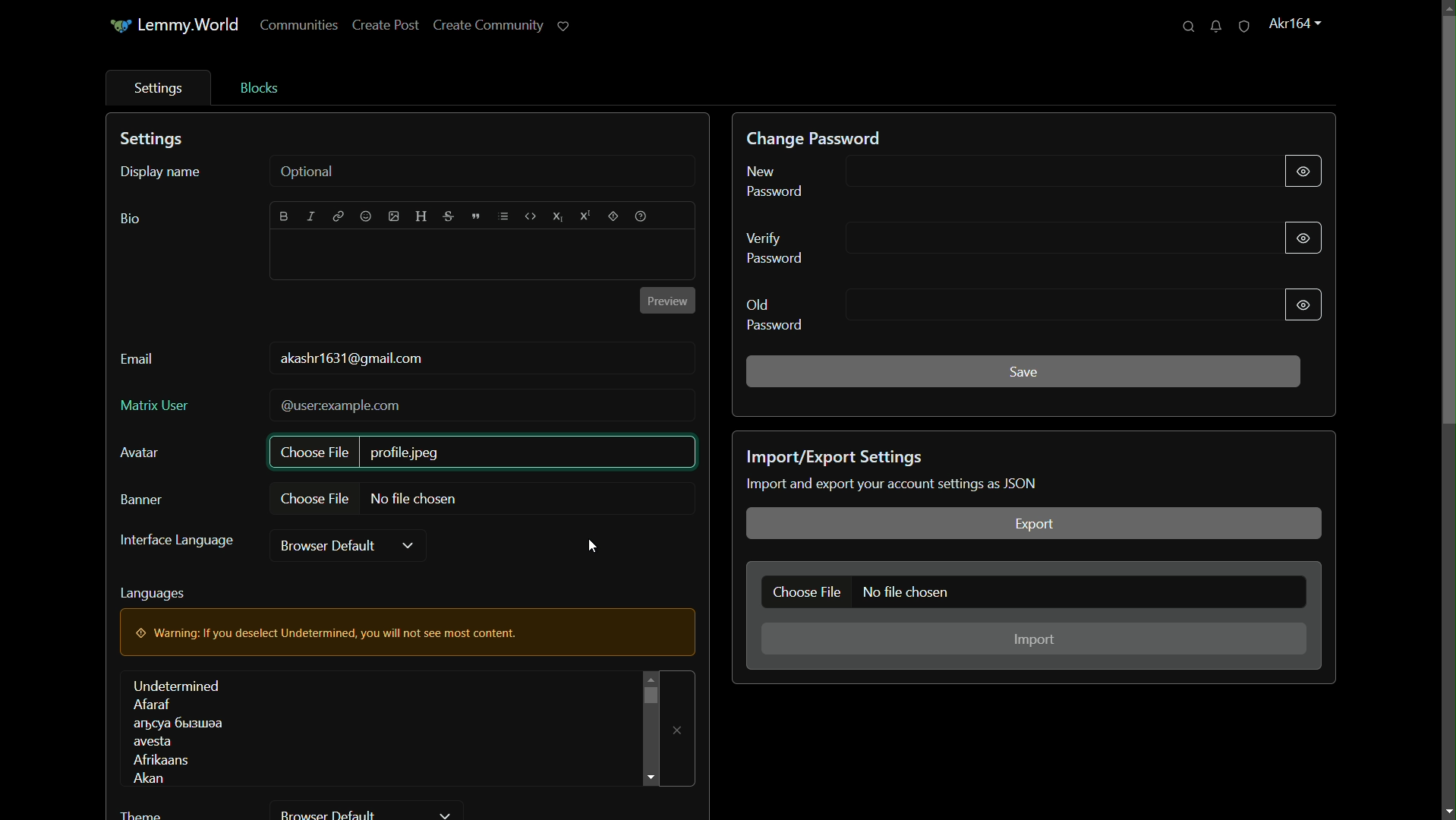 The height and width of the screenshot is (820, 1456). Describe the element at coordinates (313, 216) in the screenshot. I see `italic` at that location.